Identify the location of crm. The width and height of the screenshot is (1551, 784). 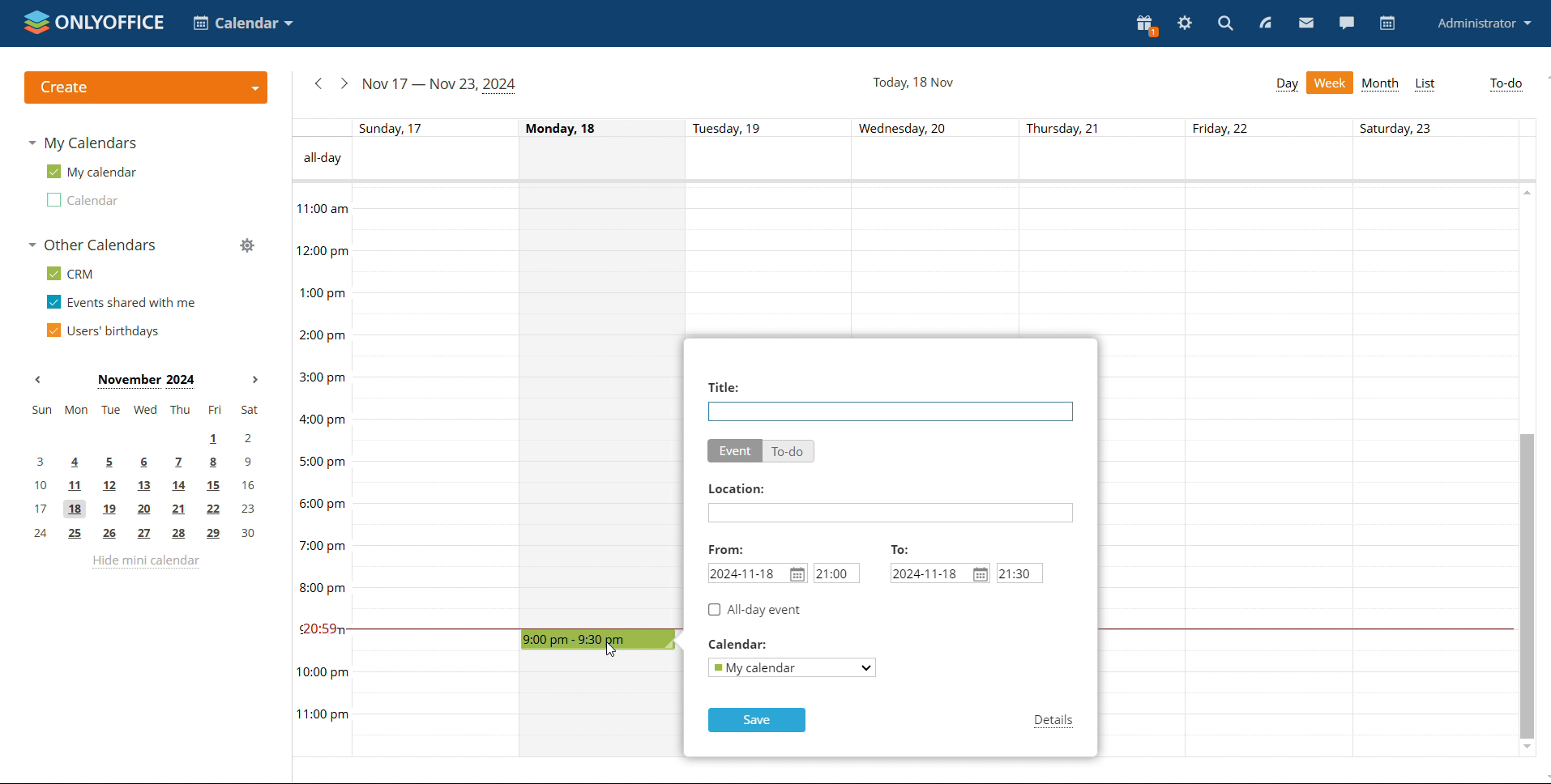
(72, 273).